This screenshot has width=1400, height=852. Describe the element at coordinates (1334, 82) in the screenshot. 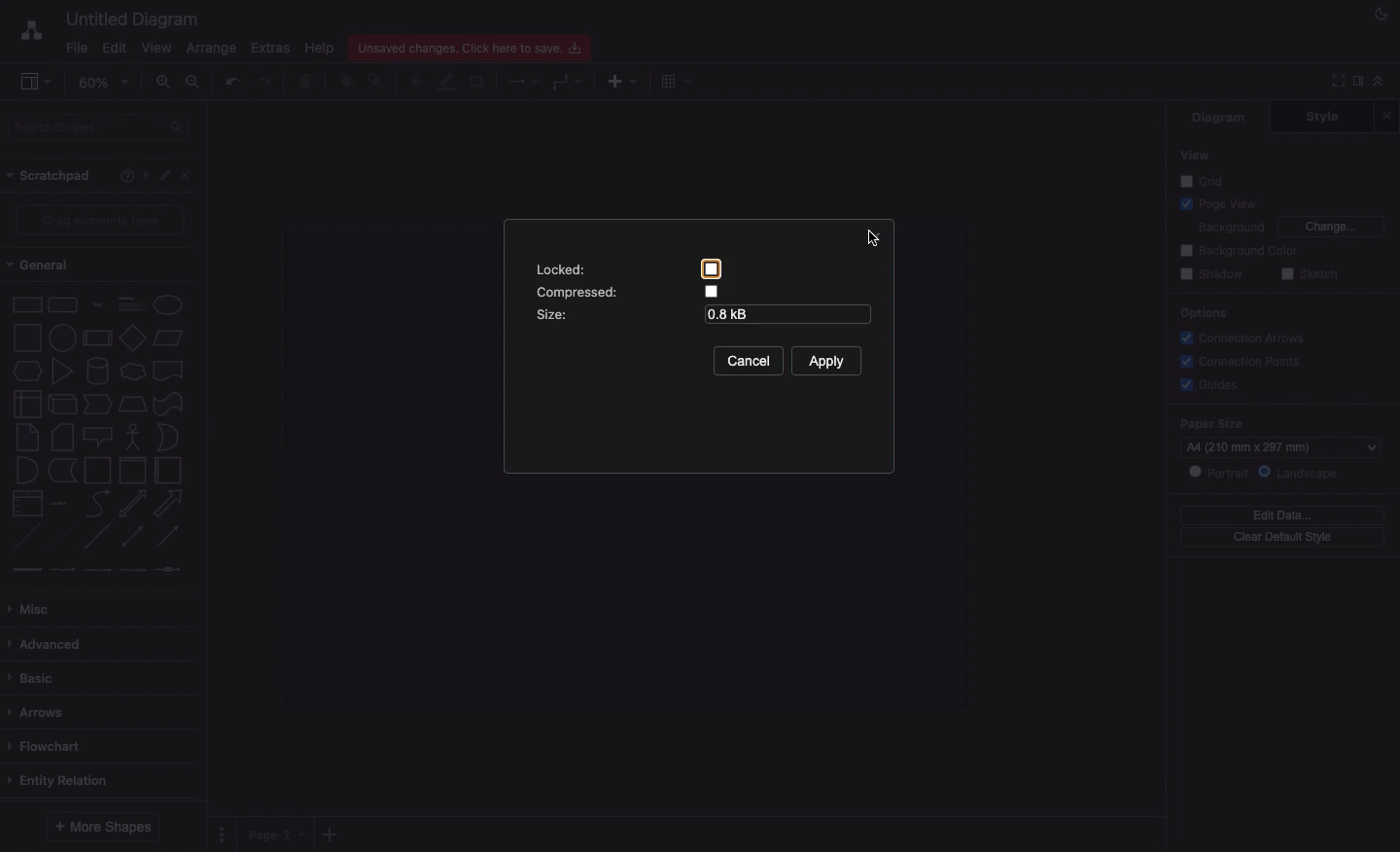

I see `Full screen` at that location.